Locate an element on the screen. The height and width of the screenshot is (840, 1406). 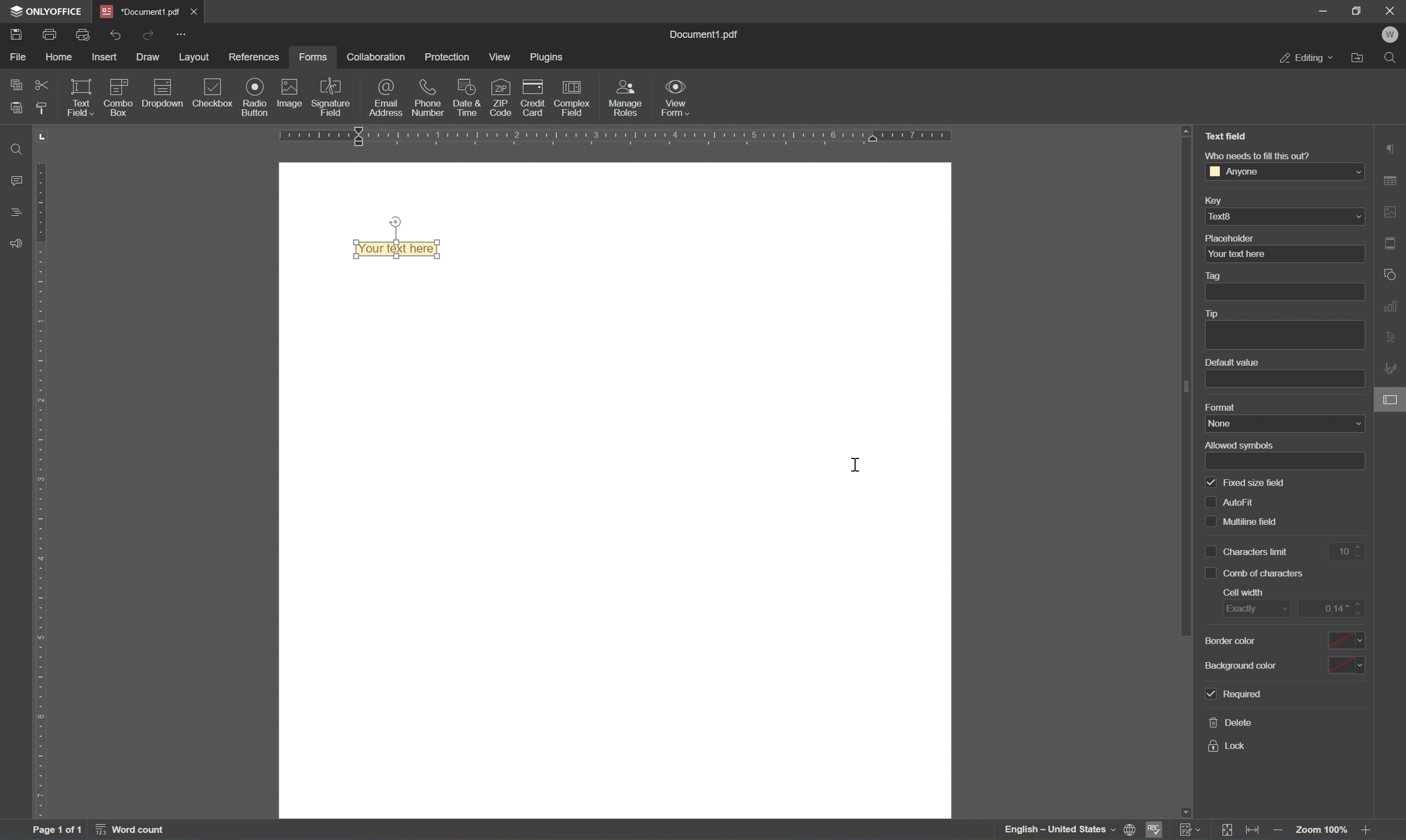
email addresses is located at coordinates (387, 97).